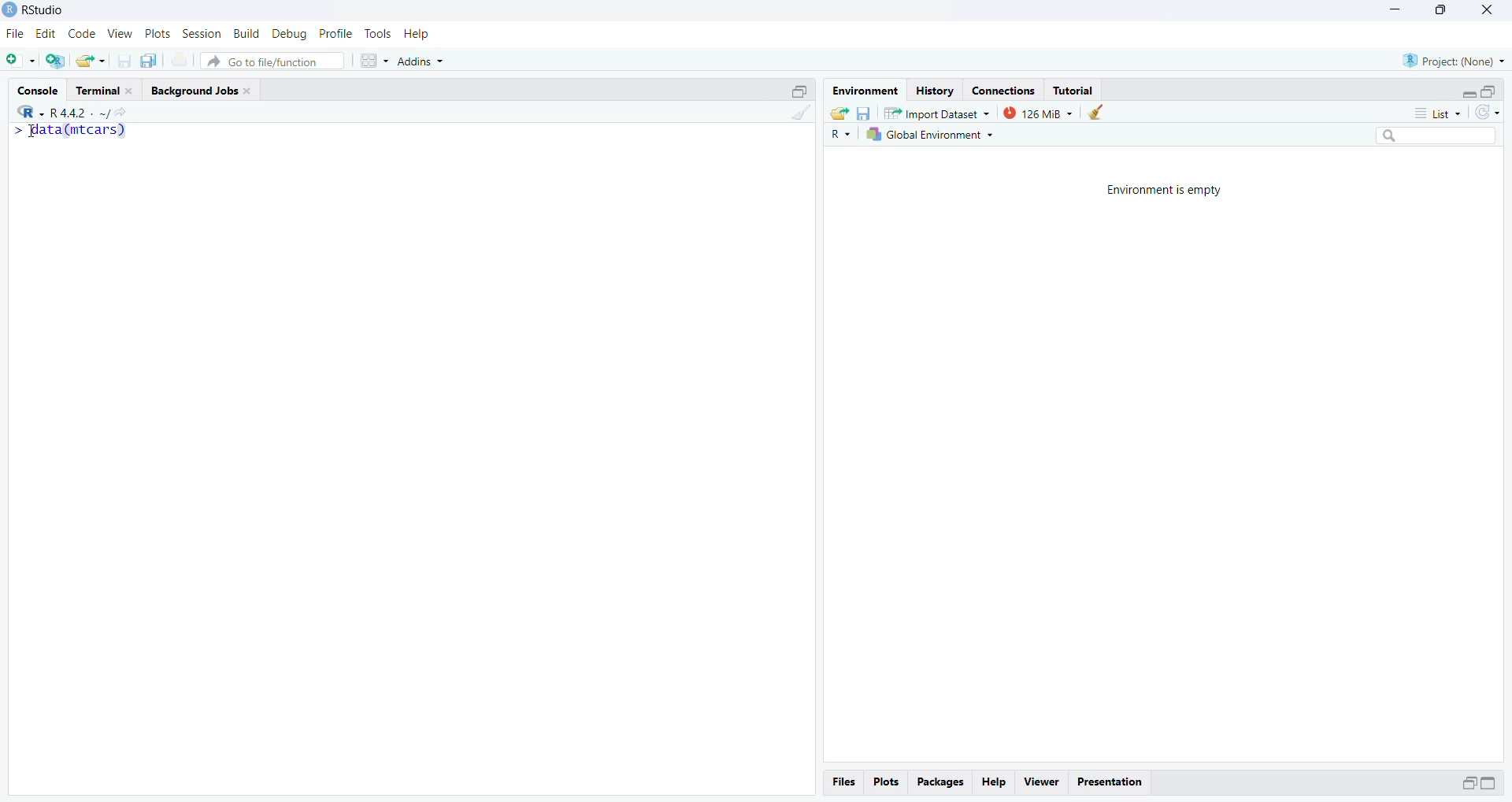 The height and width of the screenshot is (802, 1512). I want to click on Help, so click(416, 33).